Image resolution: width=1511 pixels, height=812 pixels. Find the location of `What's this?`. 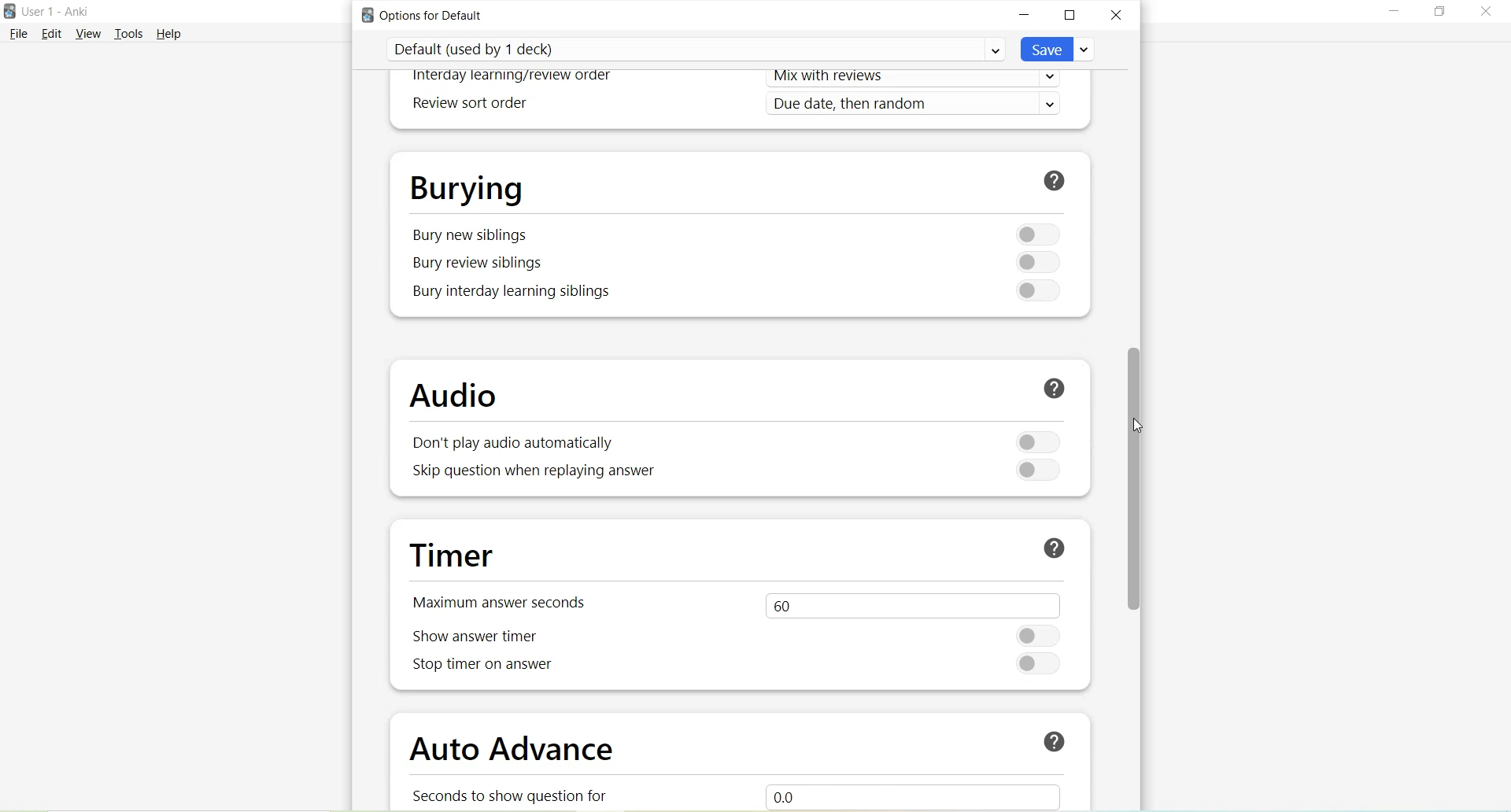

What's this? is located at coordinates (1054, 548).